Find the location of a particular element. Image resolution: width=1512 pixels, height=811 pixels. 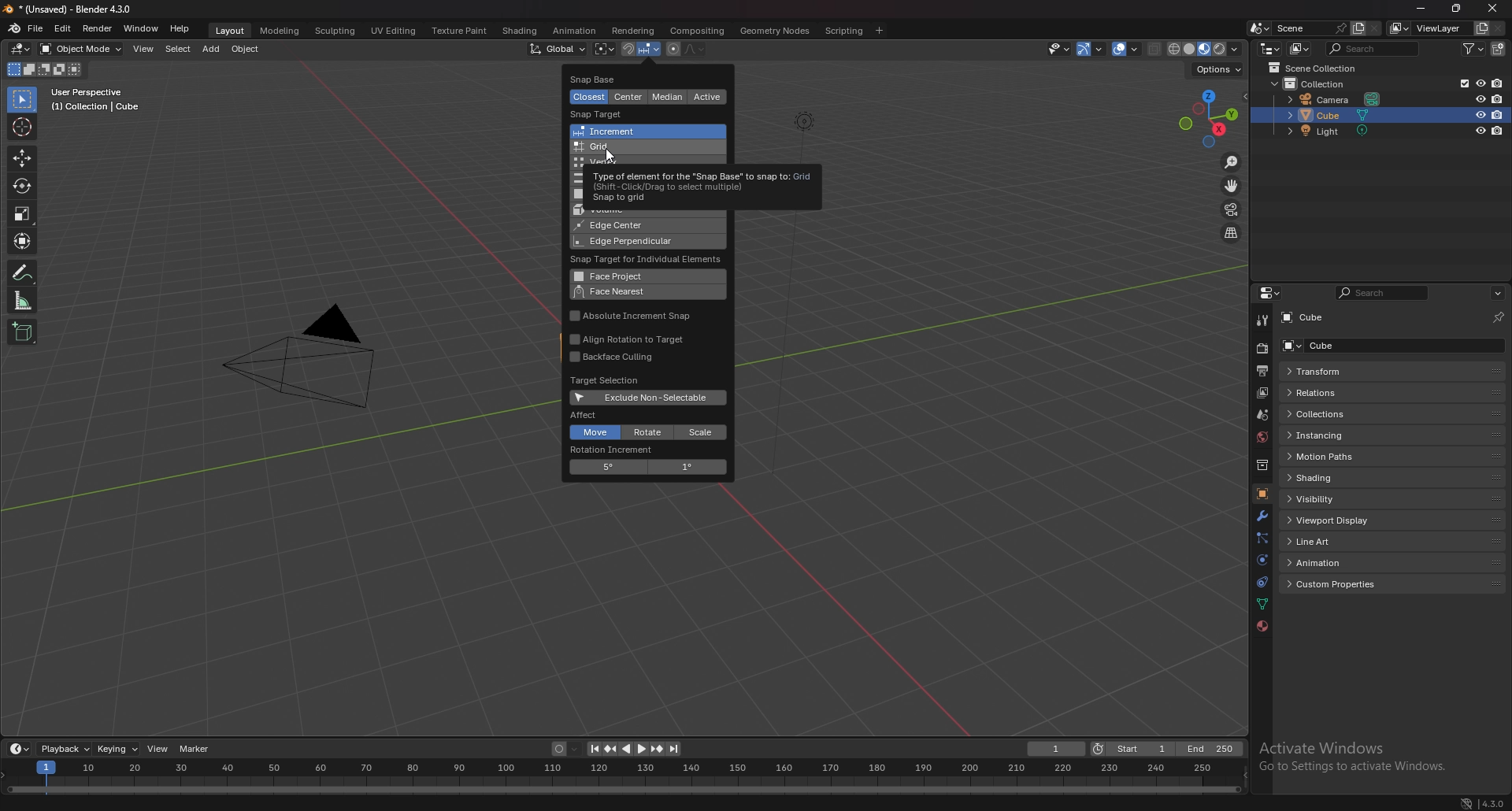

add collection is located at coordinates (1499, 48).